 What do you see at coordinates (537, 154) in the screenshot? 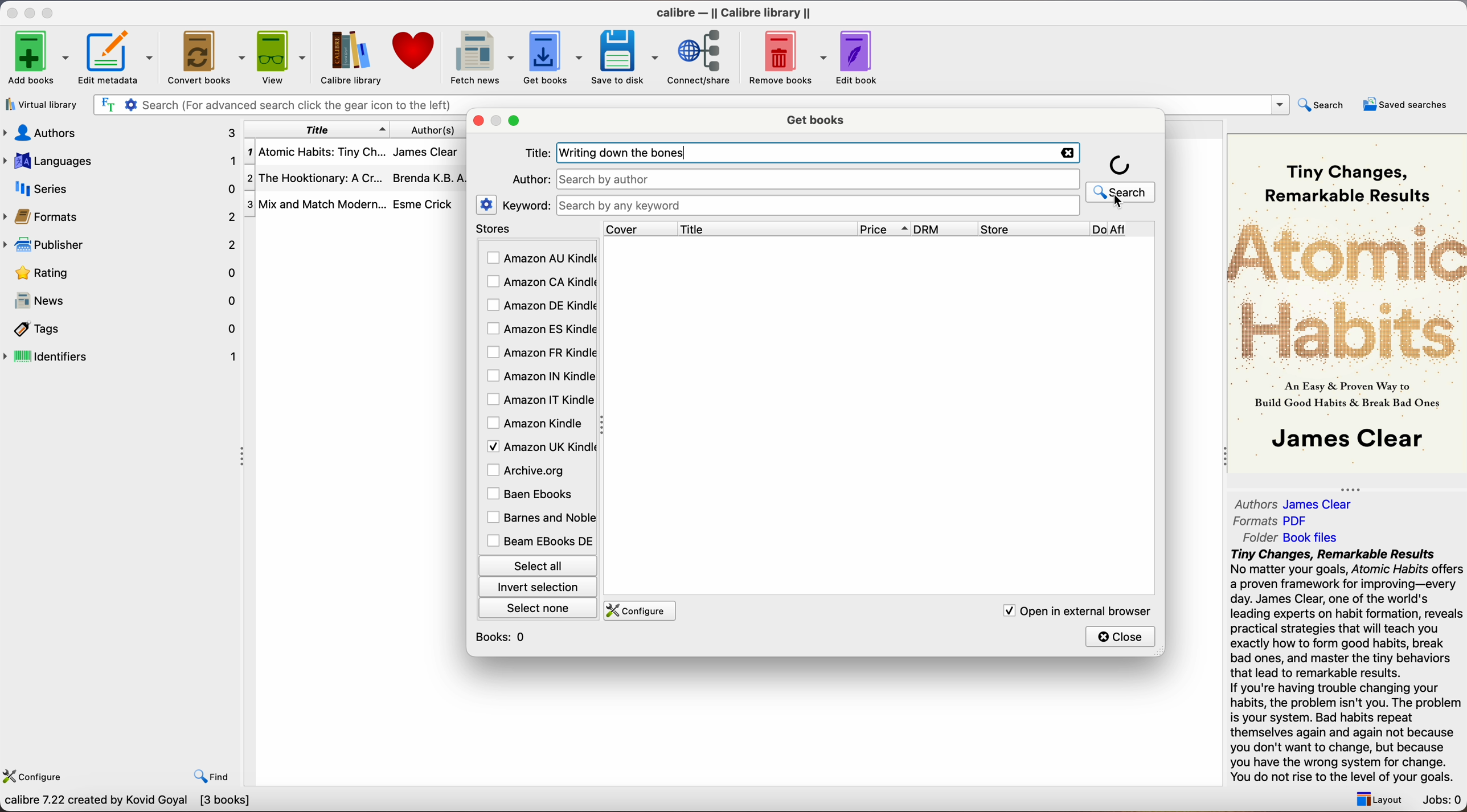
I see `title:` at bounding box center [537, 154].